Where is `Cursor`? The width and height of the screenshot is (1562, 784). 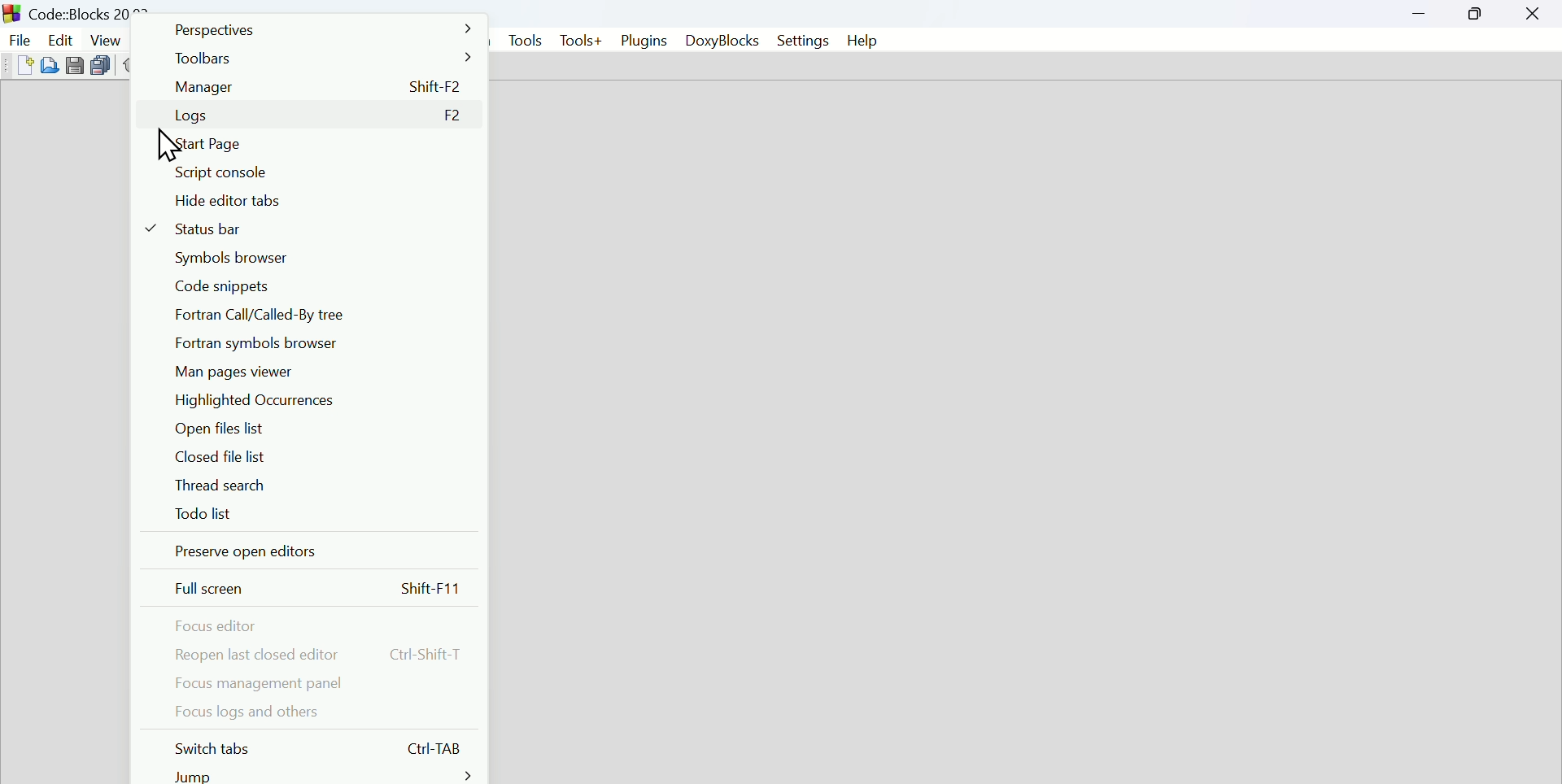
Cursor is located at coordinates (171, 145).